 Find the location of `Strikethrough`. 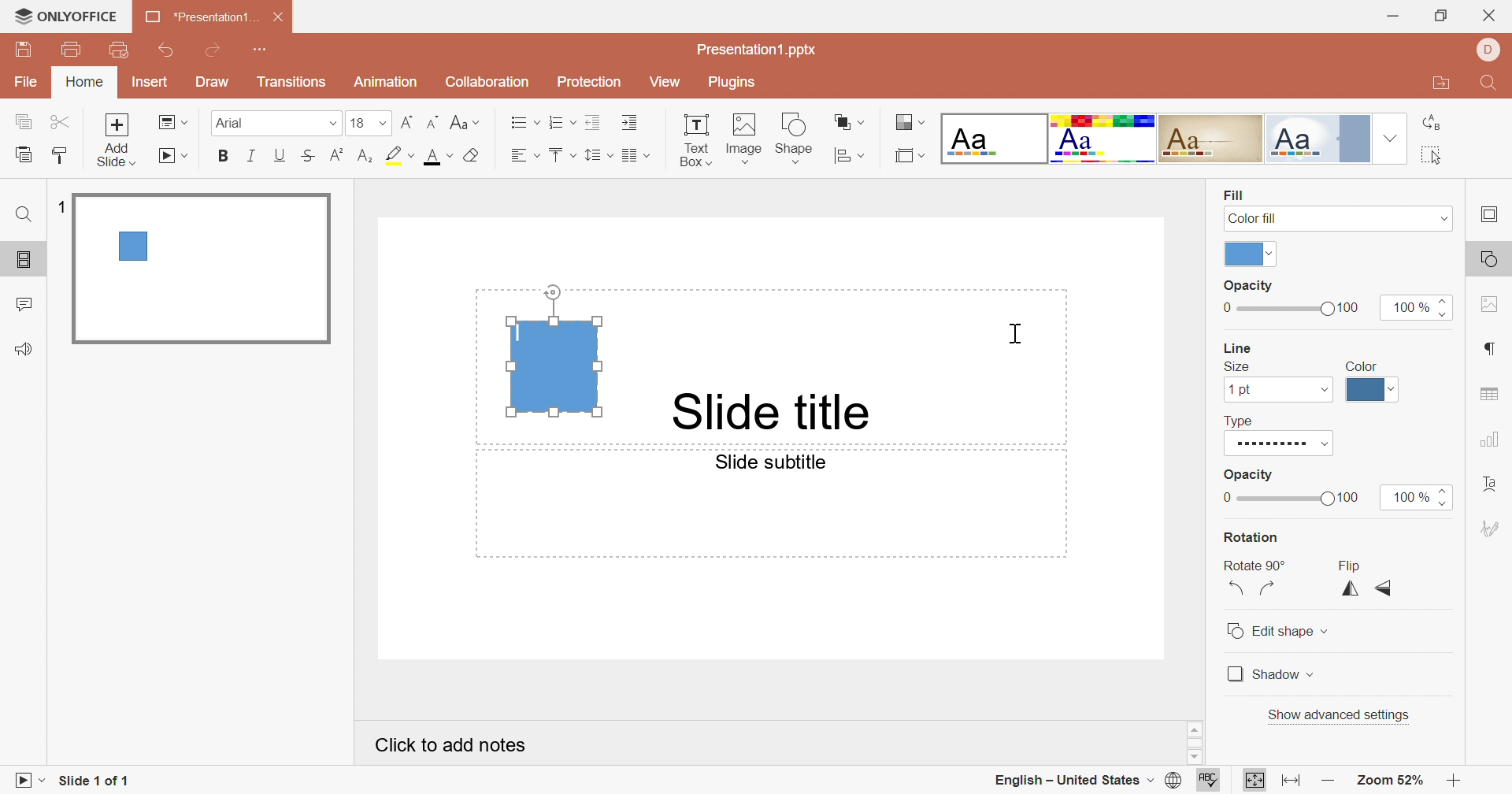

Strikethrough is located at coordinates (313, 155).